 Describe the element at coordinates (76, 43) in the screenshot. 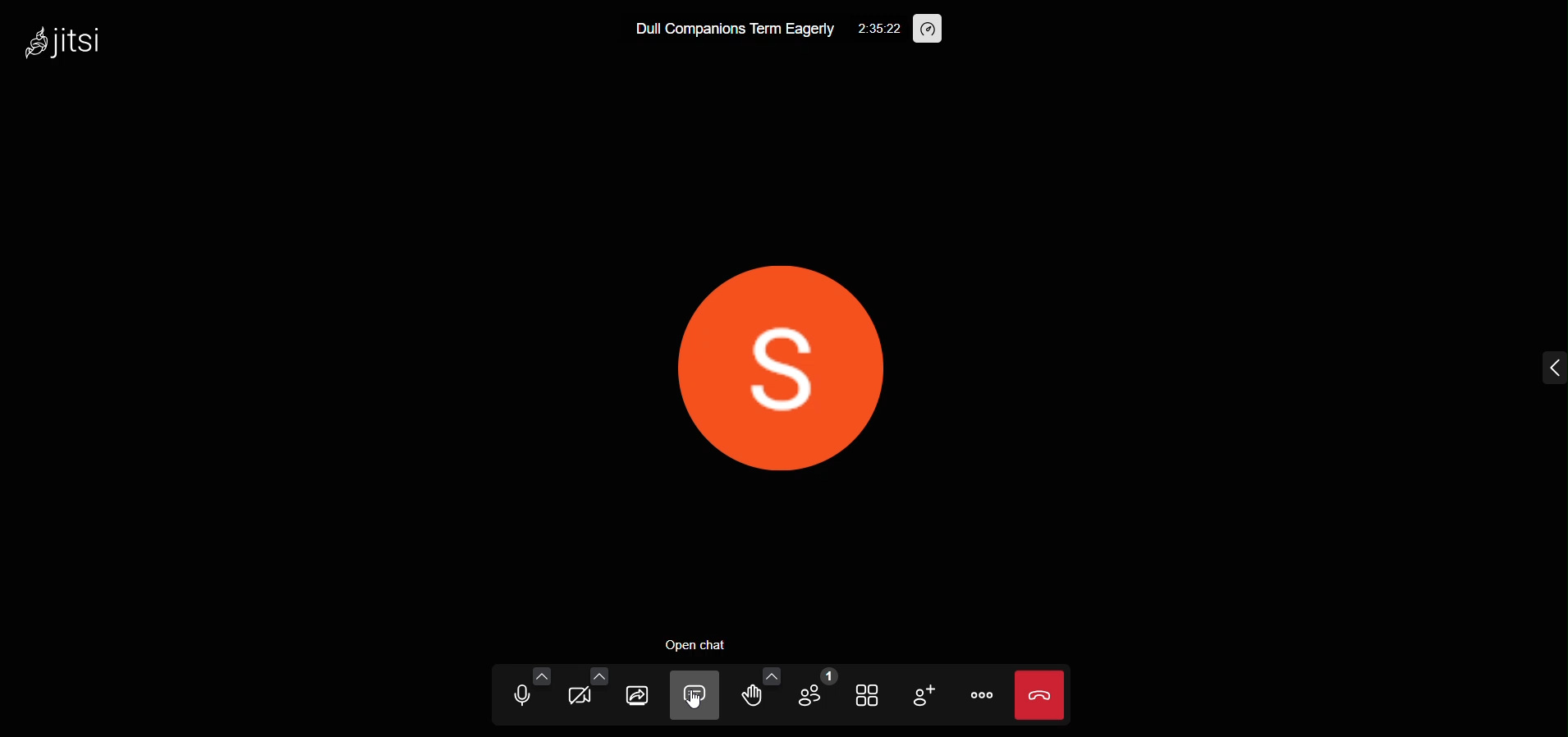

I see `logo` at that location.